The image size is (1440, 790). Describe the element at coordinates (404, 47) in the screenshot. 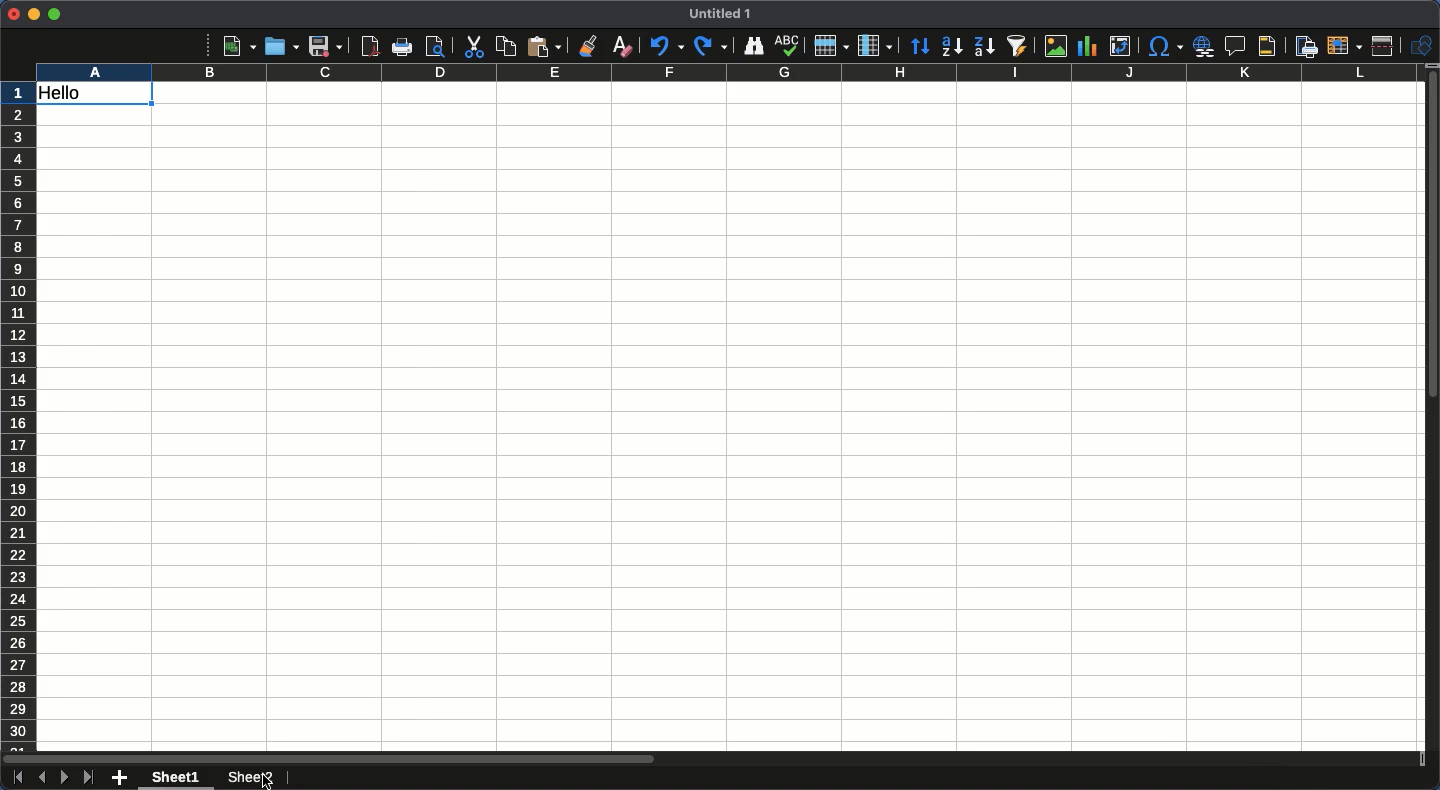

I see `Print` at that location.